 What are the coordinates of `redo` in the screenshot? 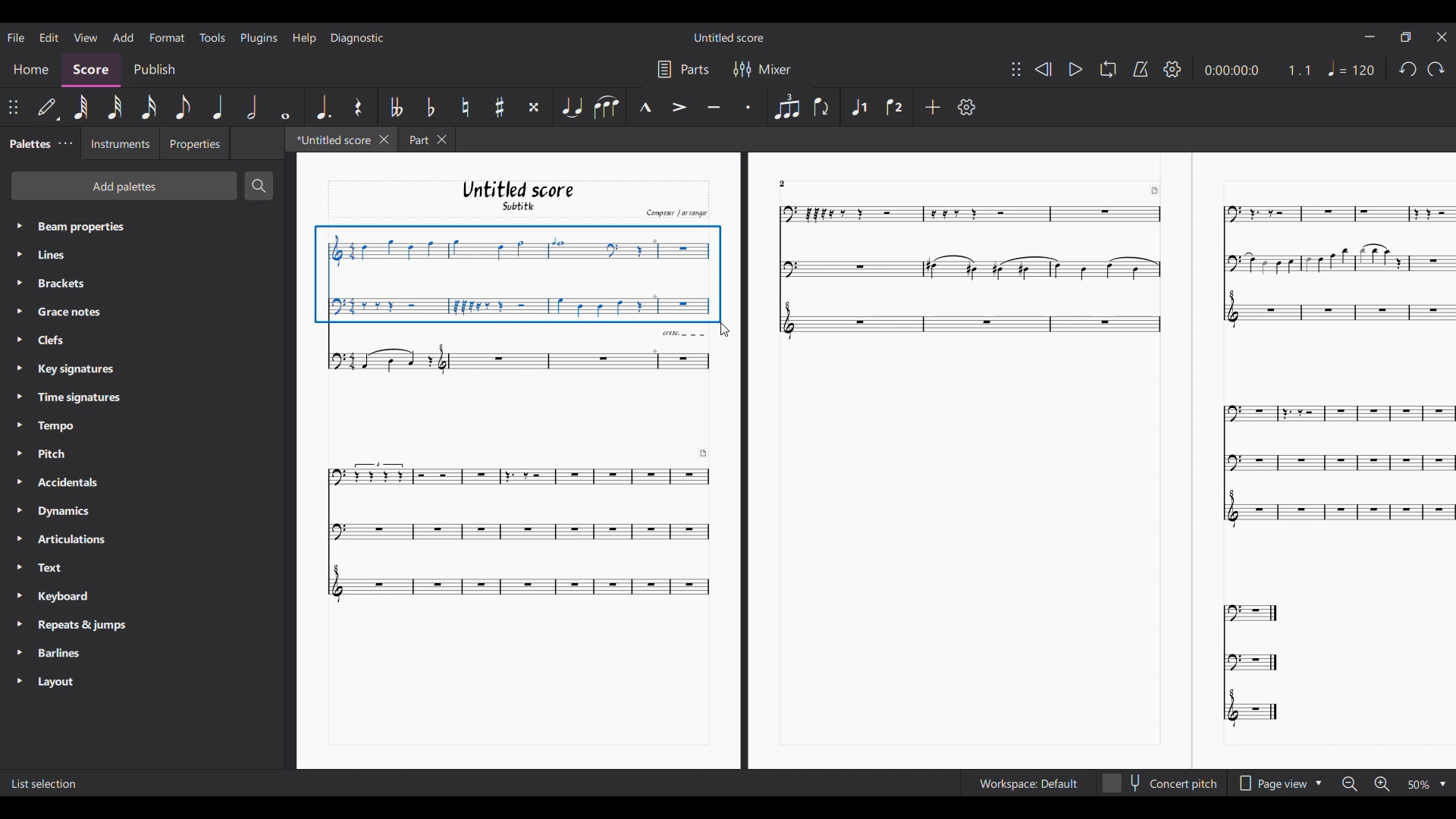 It's located at (1406, 73).